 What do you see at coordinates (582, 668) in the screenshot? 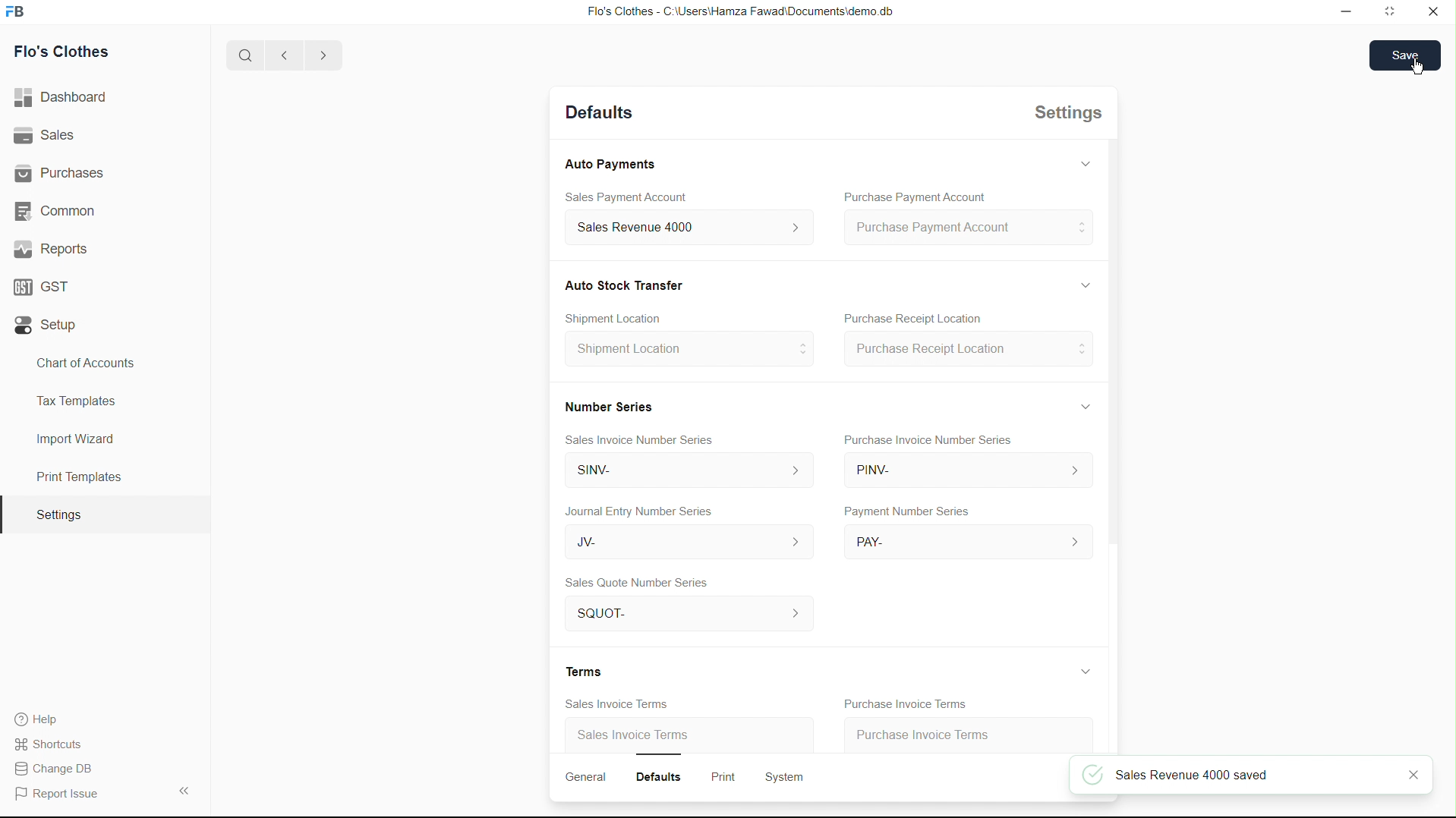
I see `Terms` at bounding box center [582, 668].